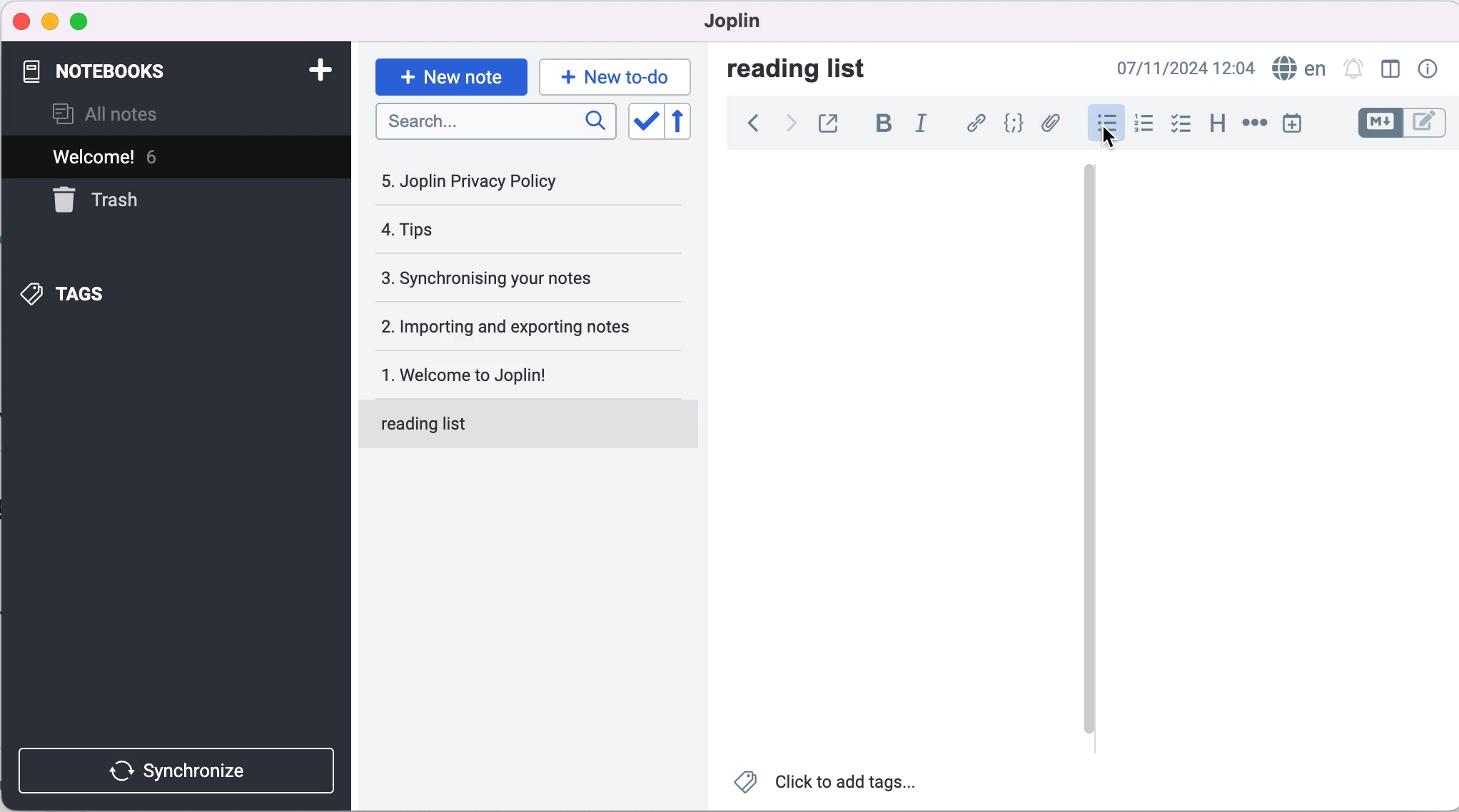  Describe the element at coordinates (495, 121) in the screenshot. I see `search` at that location.